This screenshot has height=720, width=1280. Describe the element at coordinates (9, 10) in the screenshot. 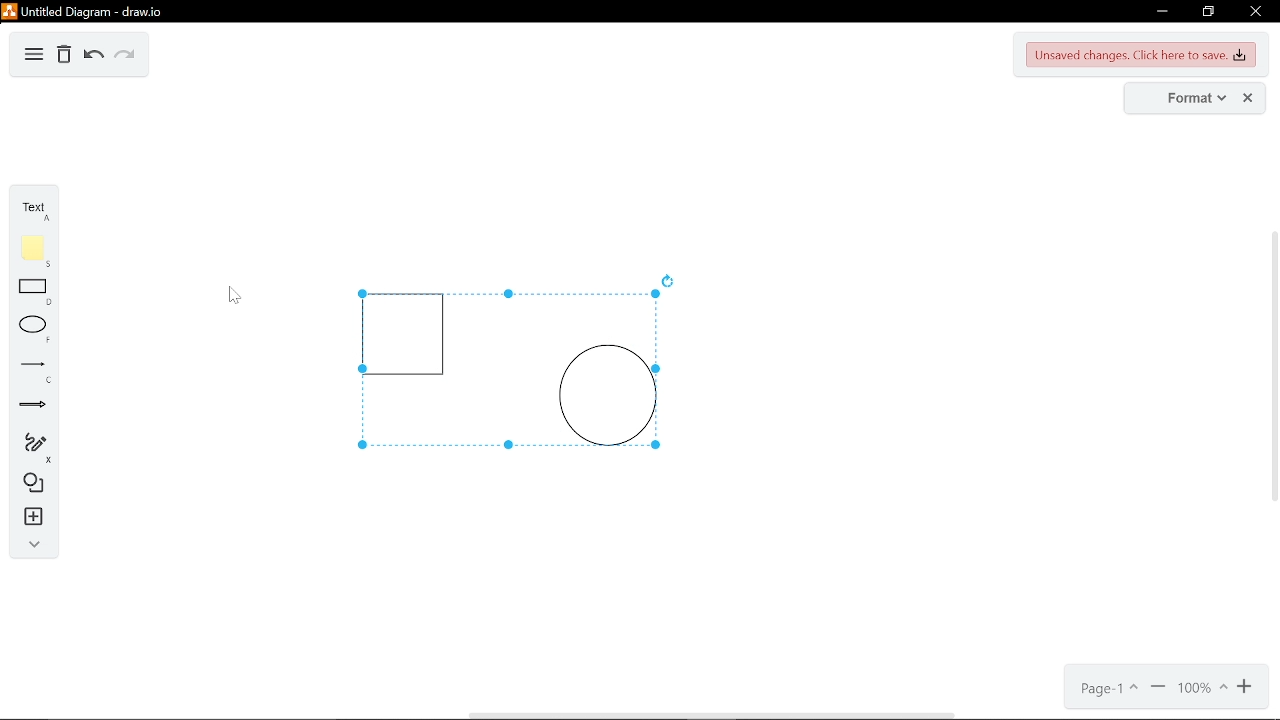

I see `logo` at that location.